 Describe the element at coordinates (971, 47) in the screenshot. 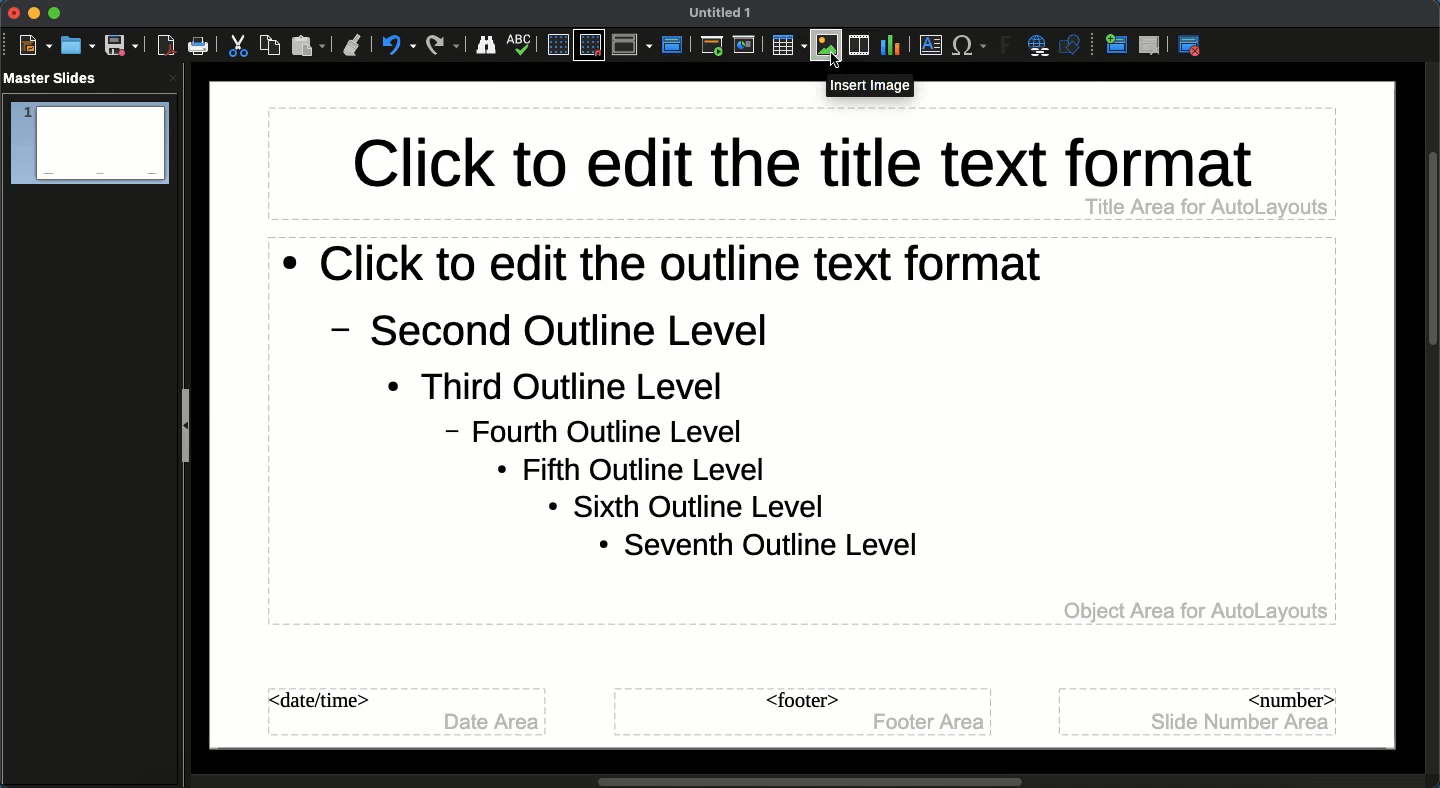

I see `Characters` at that location.